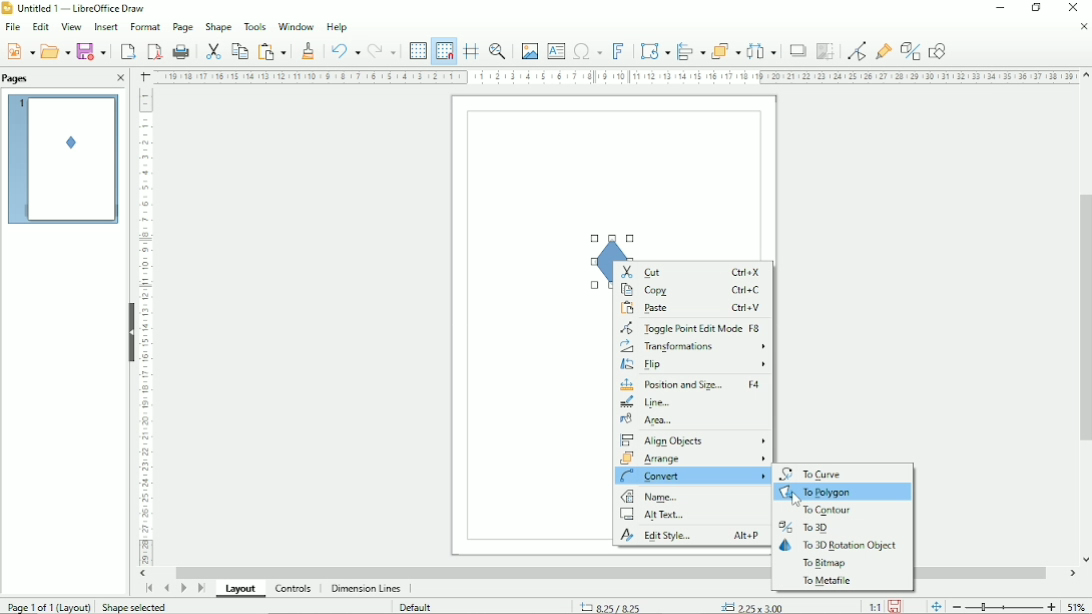 This screenshot has height=614, width=1092. What do you see at coordinates (1000, 9) in the screenshot?
I see `Minimize` at bounding box center [1000, 9].